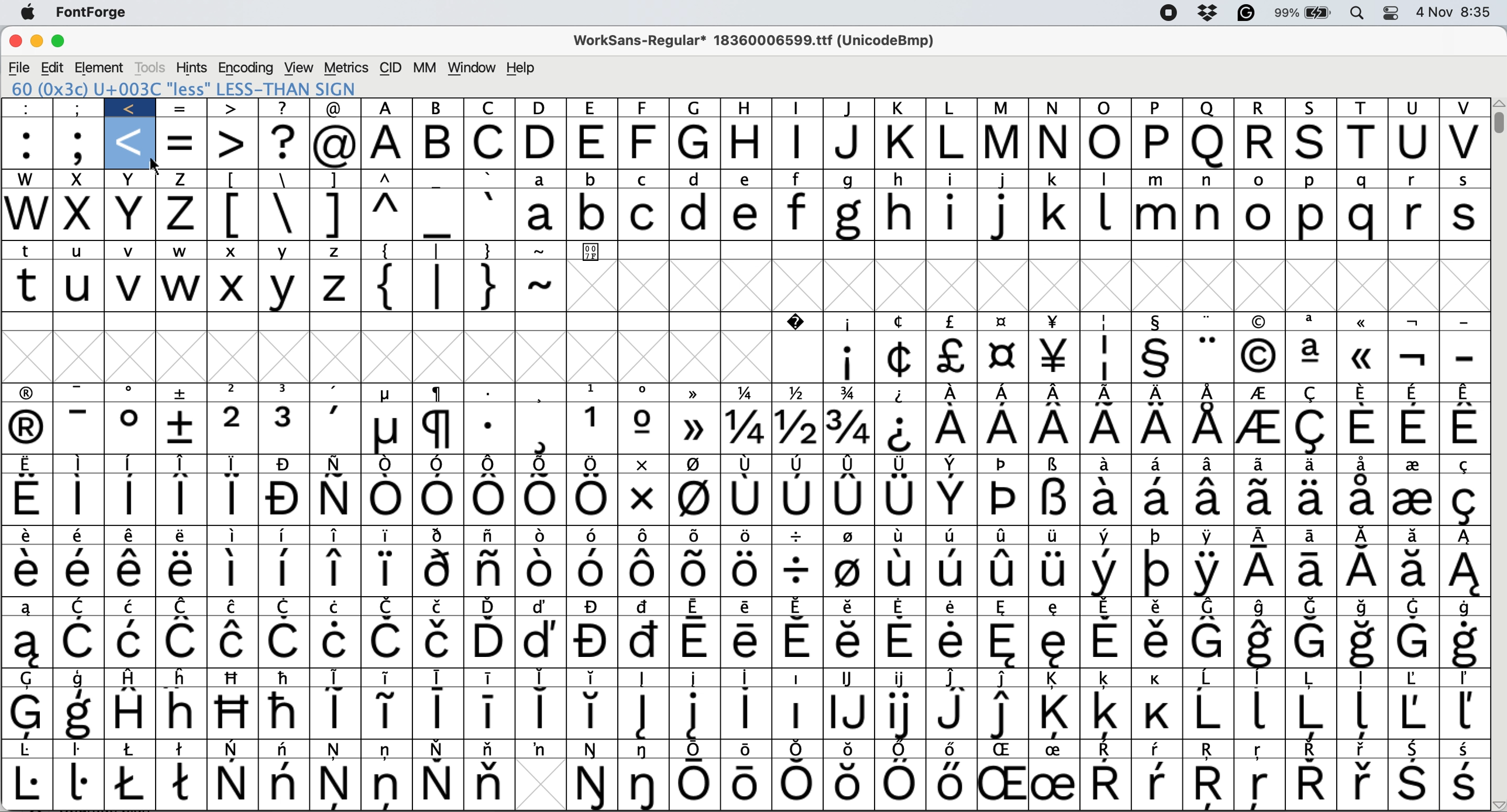 The width and height of the screenshot is (1507, 812). What do you see at coordinates (1264, 537) in the screenshot?
I see `Symbol` at bounding box center [1264, 537].